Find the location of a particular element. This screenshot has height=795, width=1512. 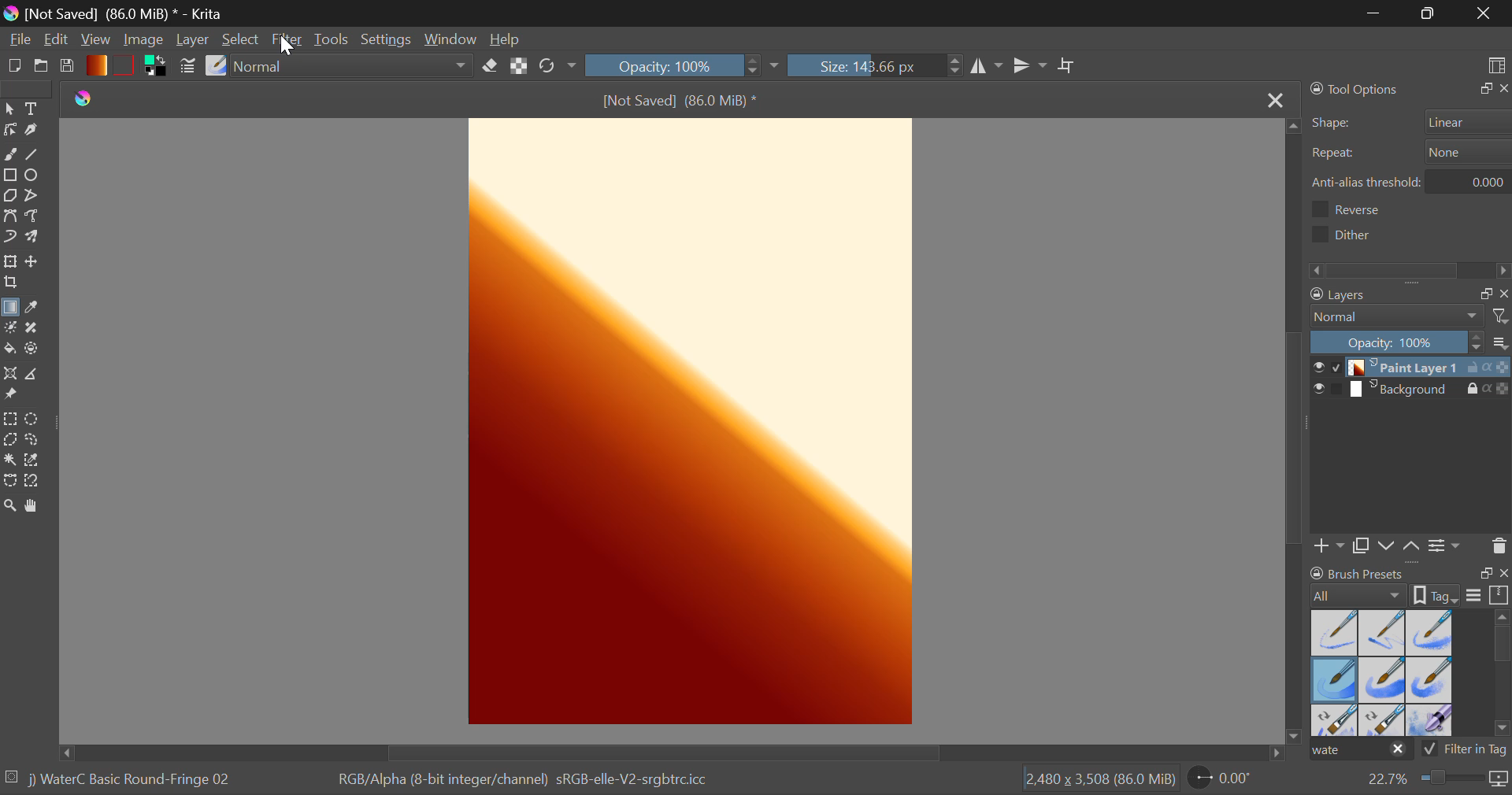

Freehand is located at coordinates (11, 154).